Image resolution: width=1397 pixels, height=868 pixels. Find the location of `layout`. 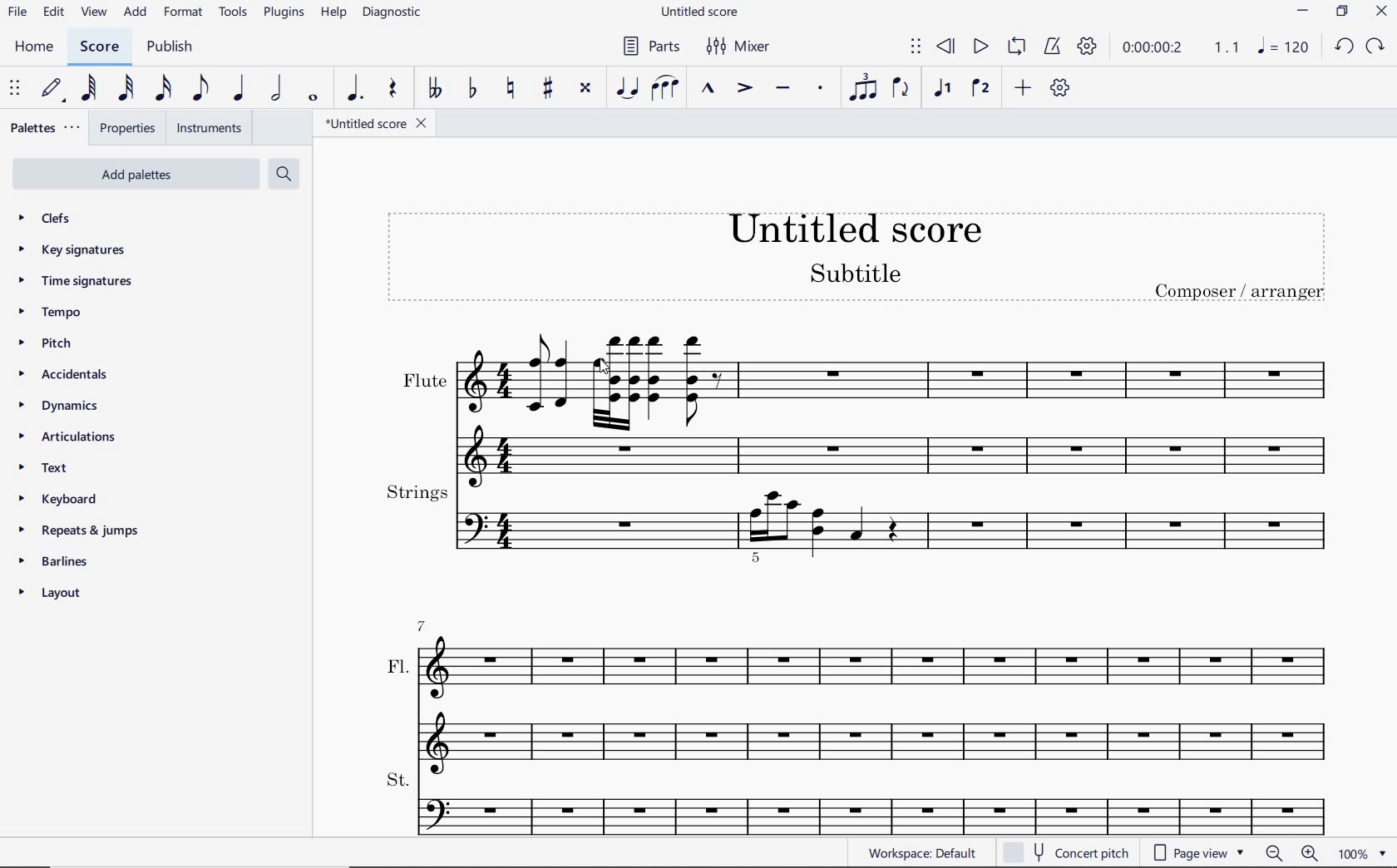

layout is located at coordinates (53, 594).